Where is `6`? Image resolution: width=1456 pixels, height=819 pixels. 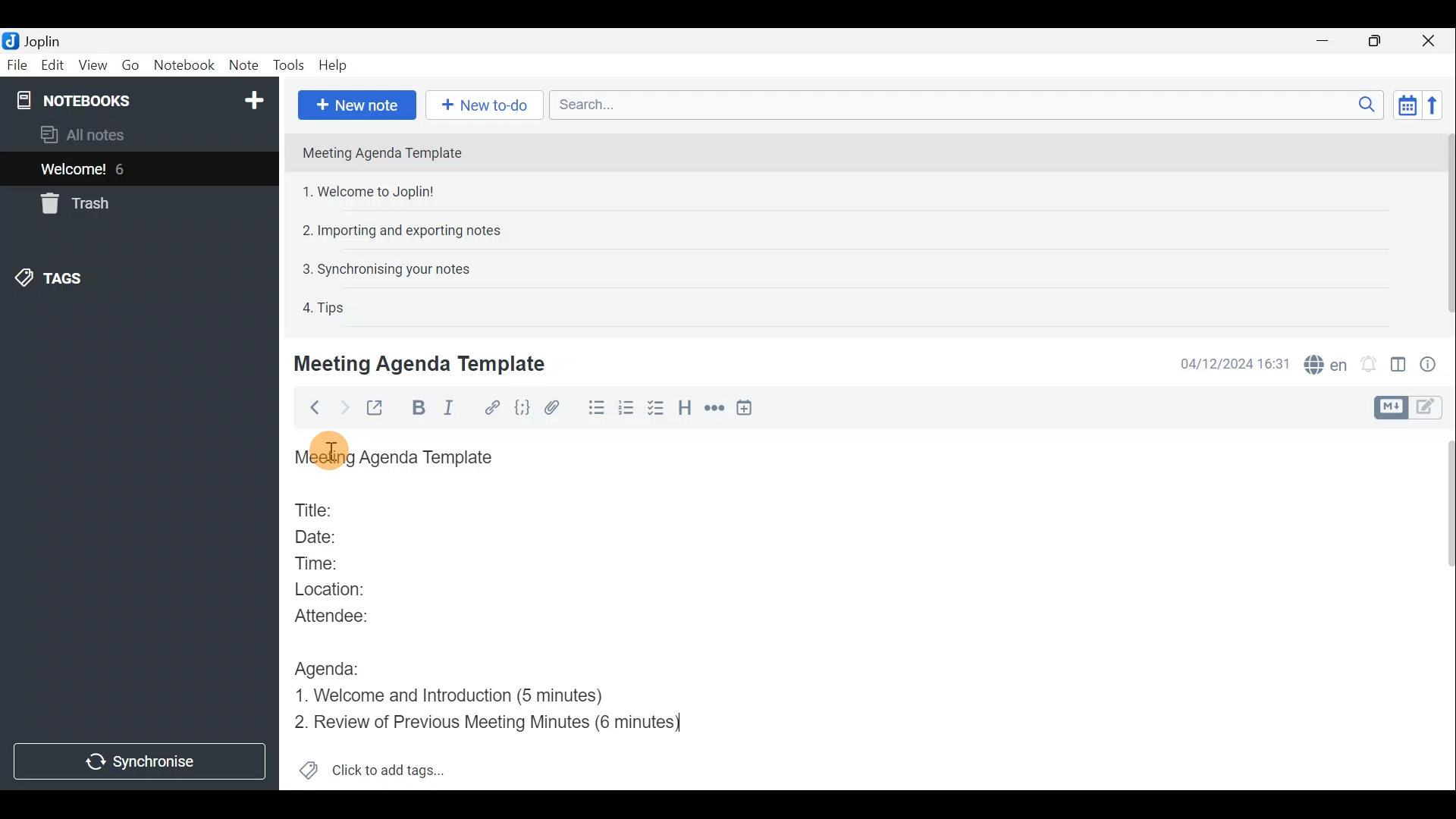 6 is located at coordinates (124, 169).